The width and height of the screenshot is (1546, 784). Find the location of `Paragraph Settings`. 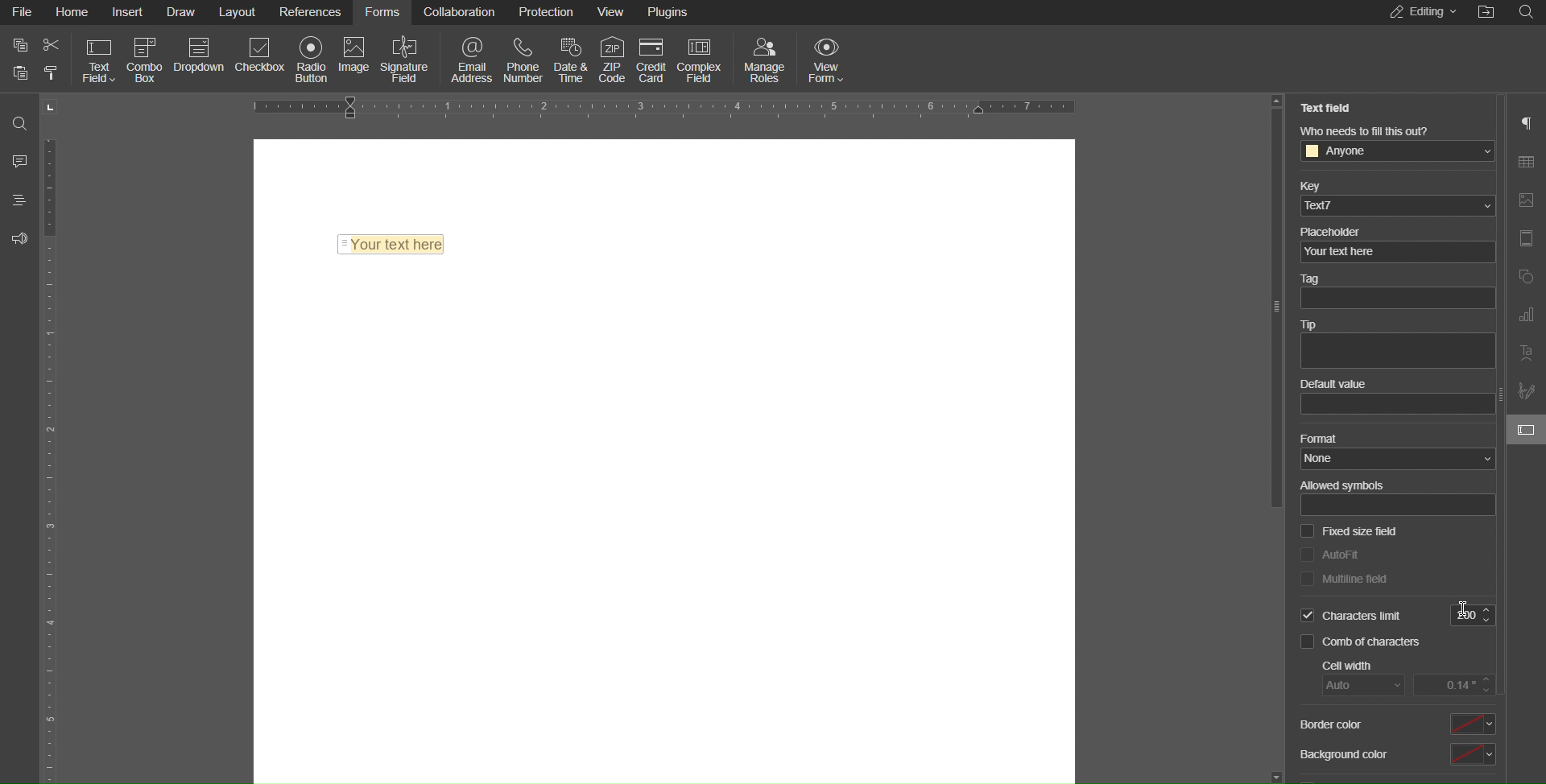

Paragraph Settings is located at coordinates (1527, 122).